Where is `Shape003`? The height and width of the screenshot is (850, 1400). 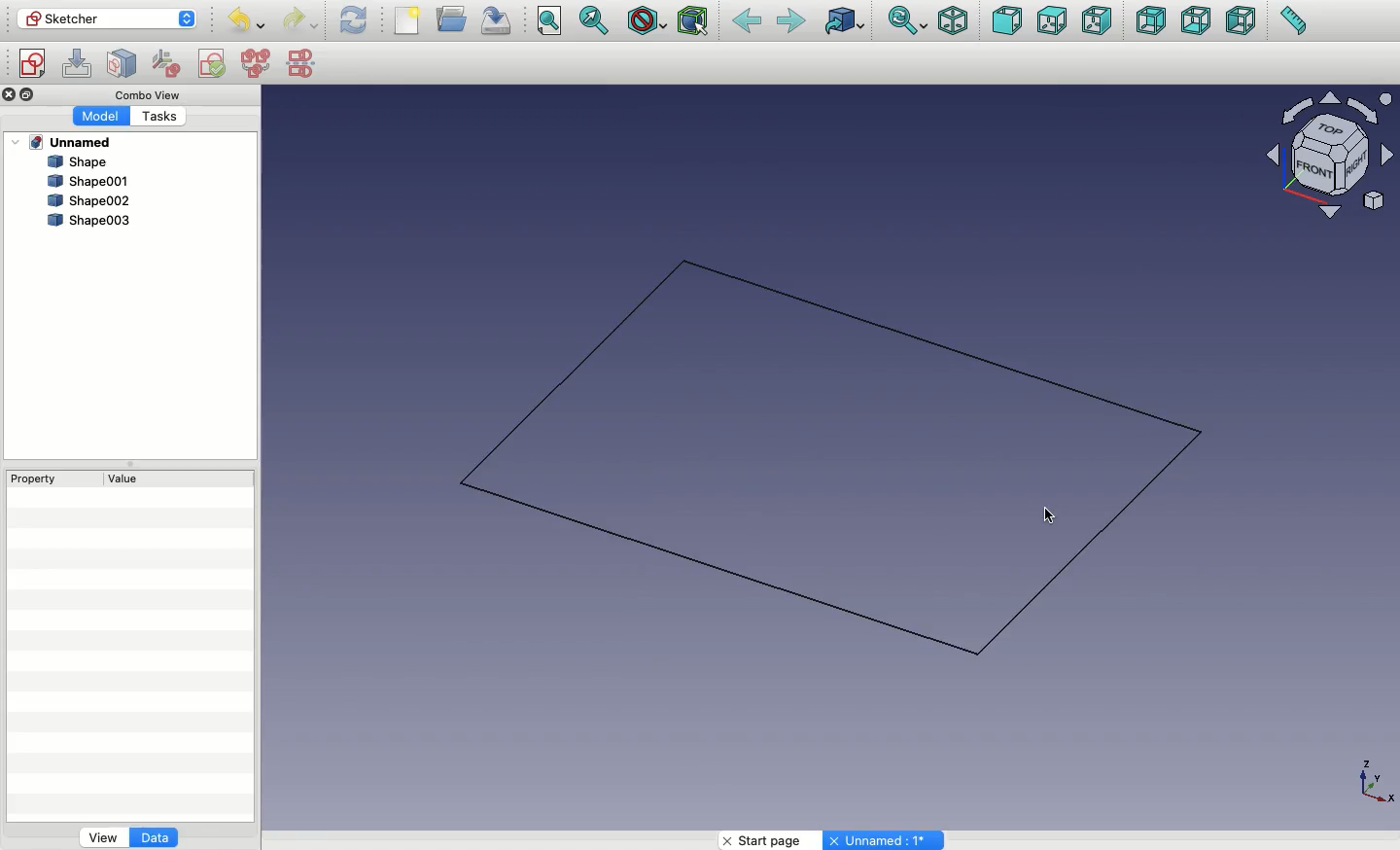 Shape003 is located at coordinates (90, 222).